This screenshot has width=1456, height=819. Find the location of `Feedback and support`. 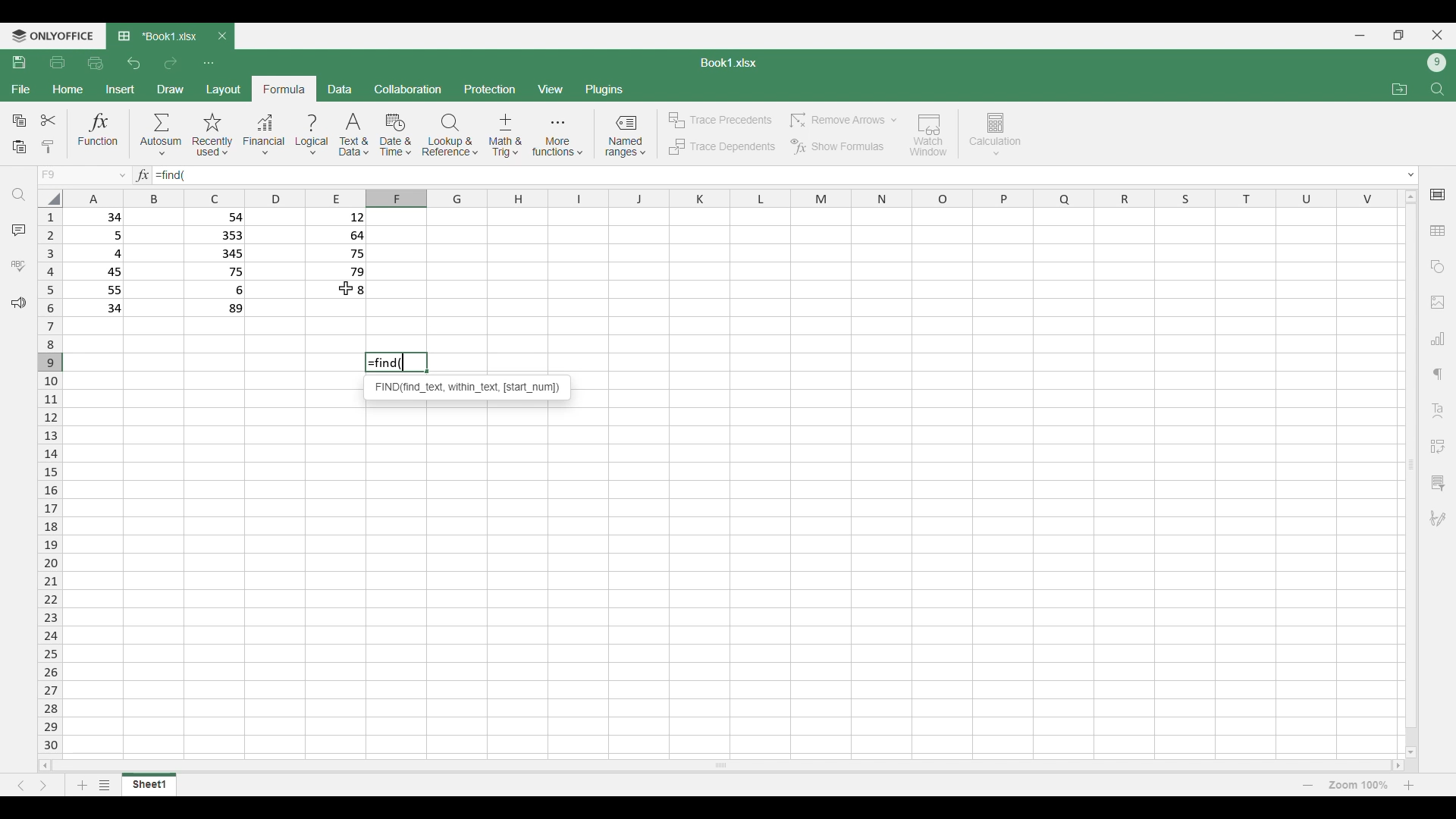

Feedback and support is located at coordinates (18, 303).